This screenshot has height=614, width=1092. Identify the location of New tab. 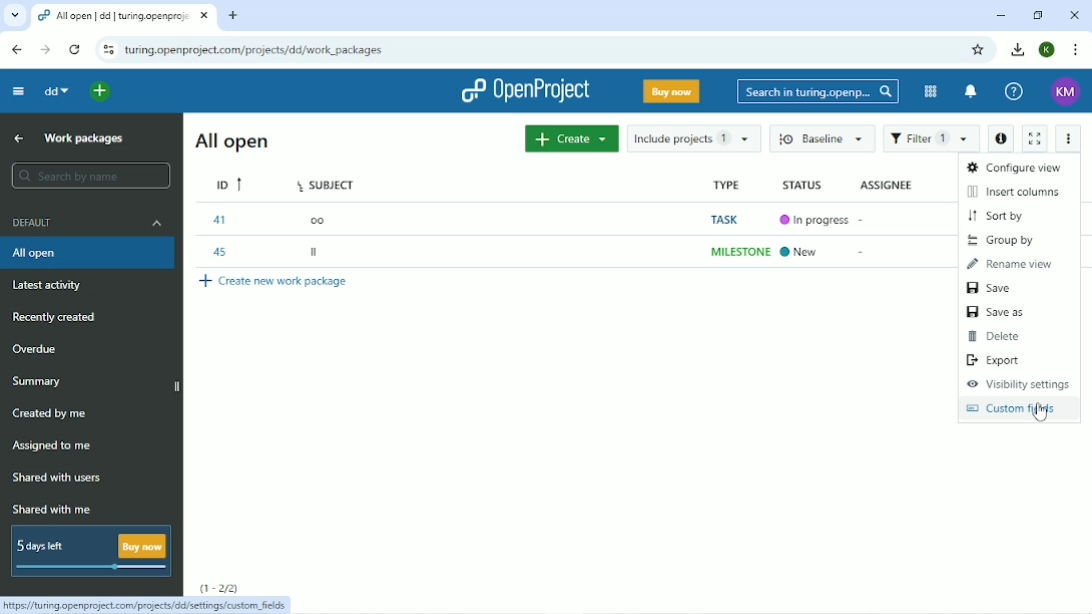
(235, 16).